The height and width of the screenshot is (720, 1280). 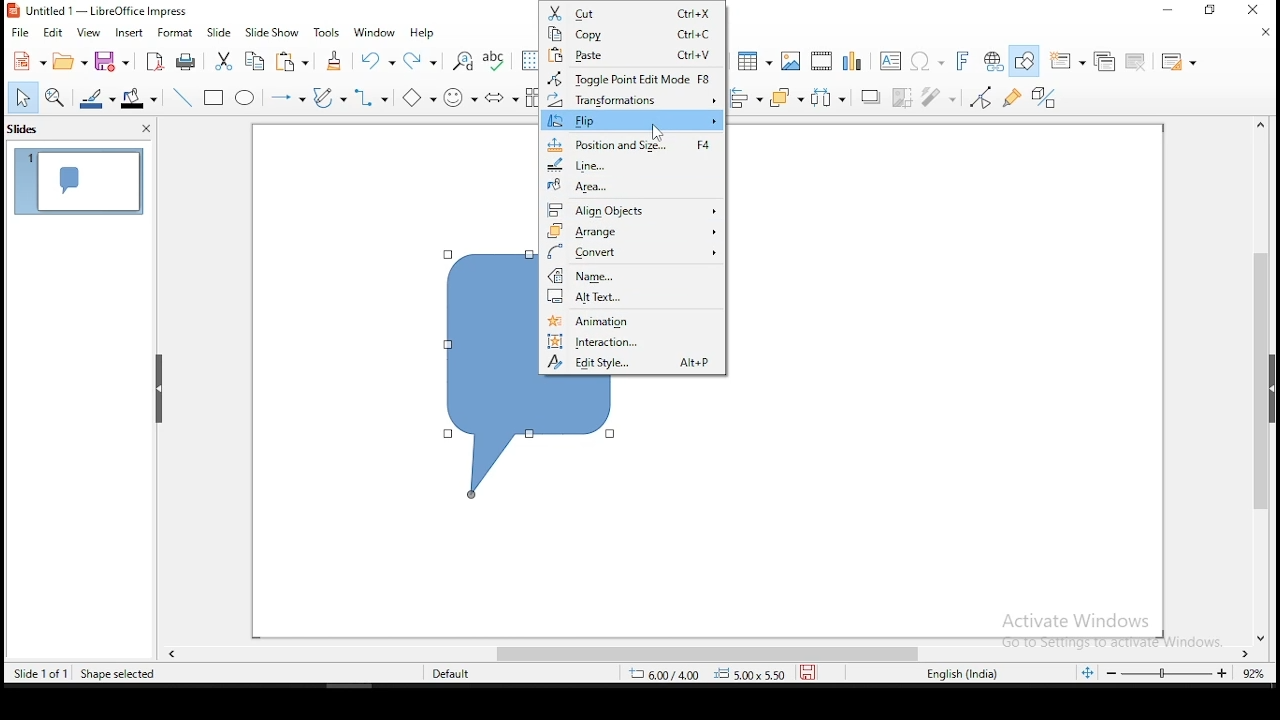 What do you see at coordinates (423, 34) in the screenshot?
I see `help` at bounding box center [423, 34].